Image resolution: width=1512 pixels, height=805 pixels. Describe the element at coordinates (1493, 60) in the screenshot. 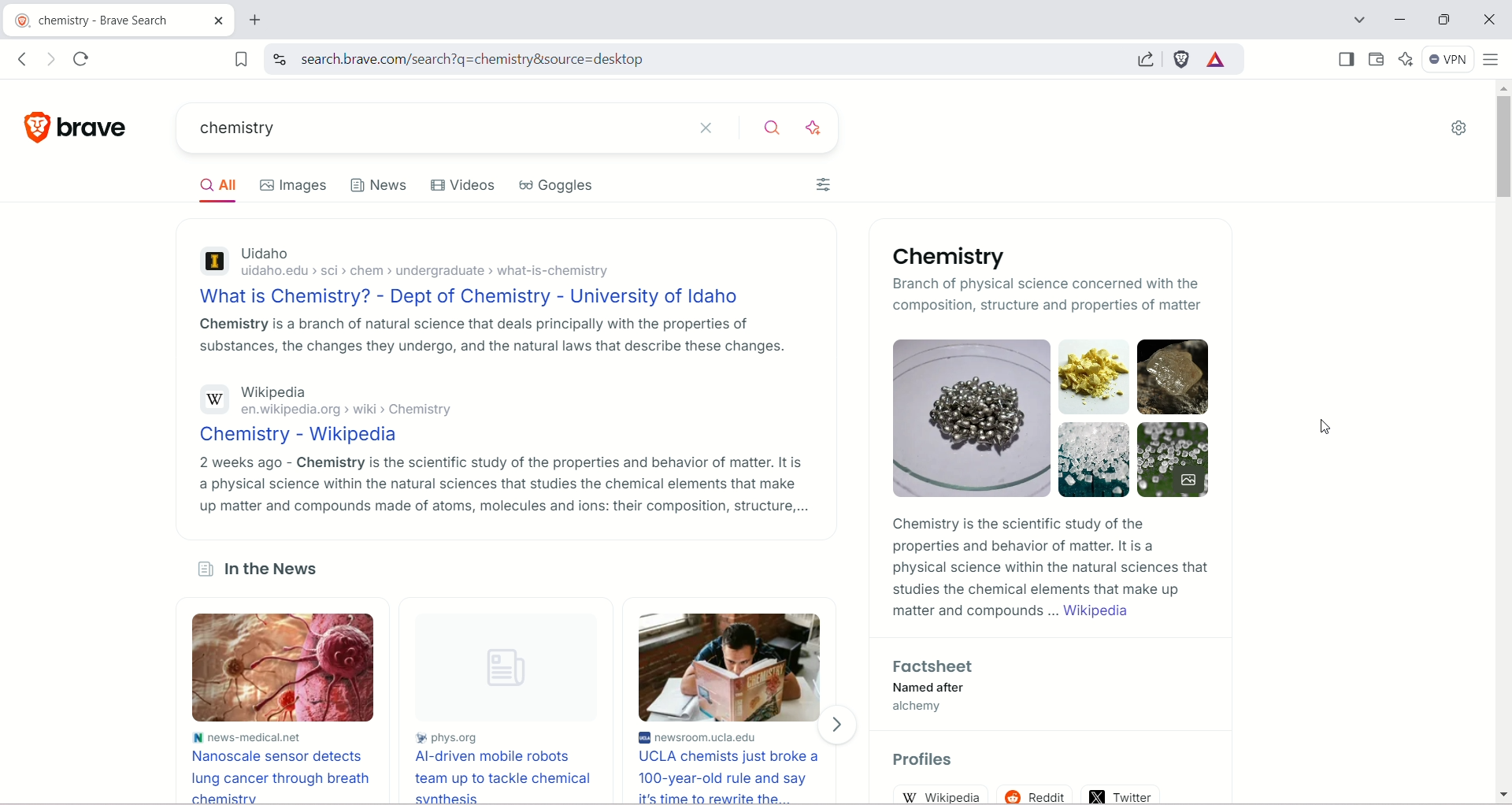

I see `customize and control board` at that location.